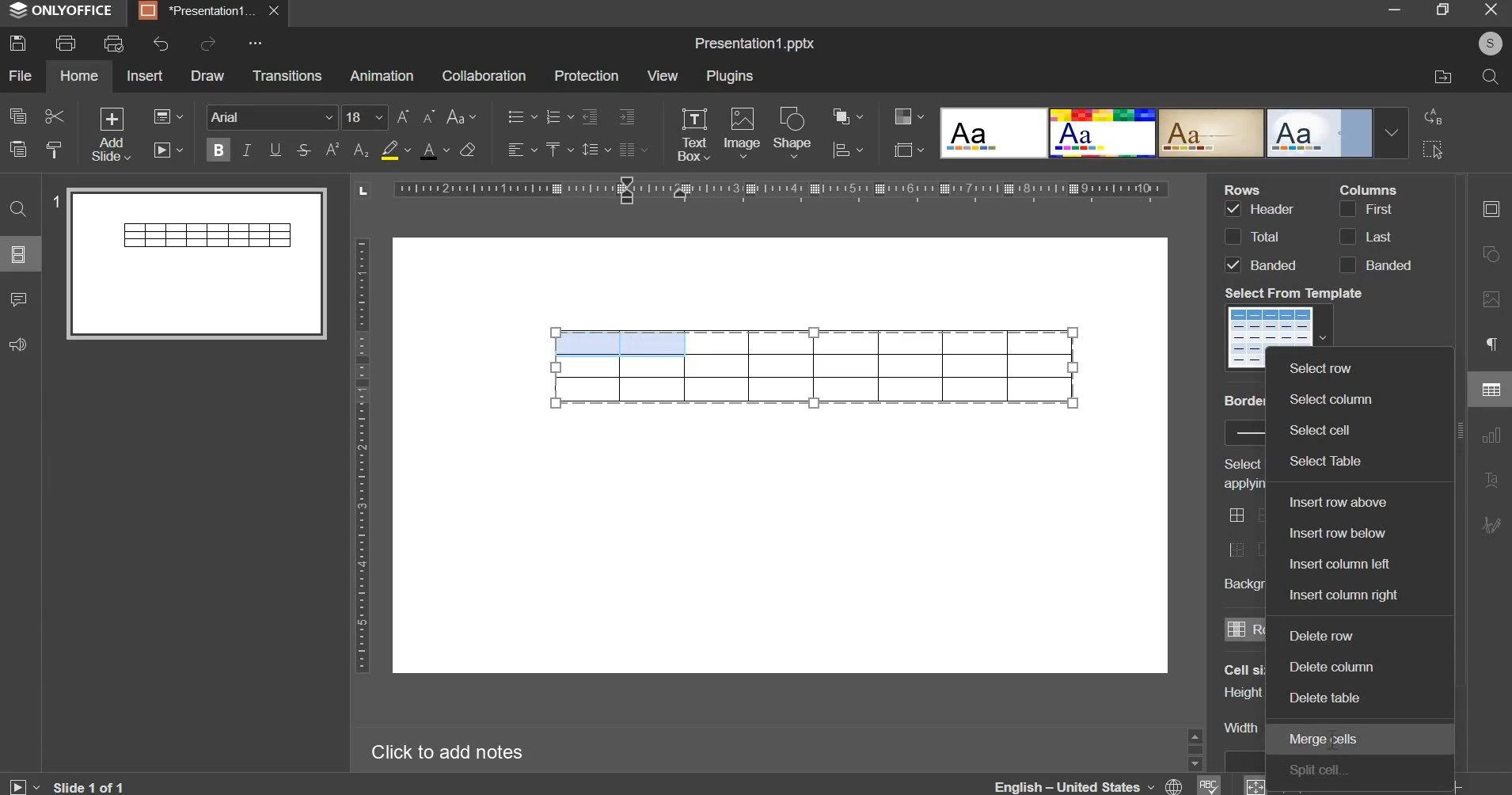 The width and height of the screenshot is (1512, 795). Describe the element at coordinates (1394, 11) in the screenshot. I see `minimize` at that location.